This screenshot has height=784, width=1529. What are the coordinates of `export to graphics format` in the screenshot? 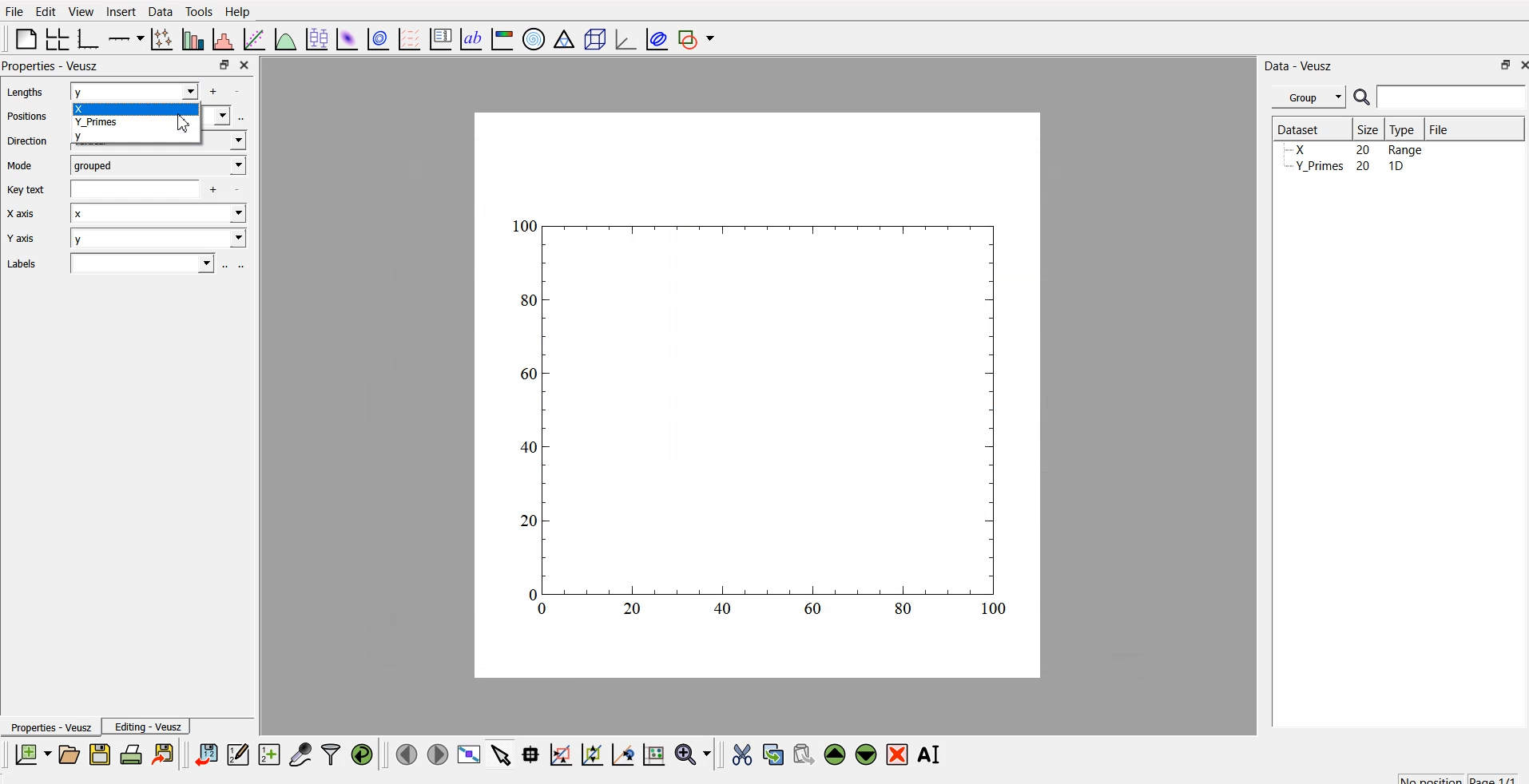 It's located at (166, 754).